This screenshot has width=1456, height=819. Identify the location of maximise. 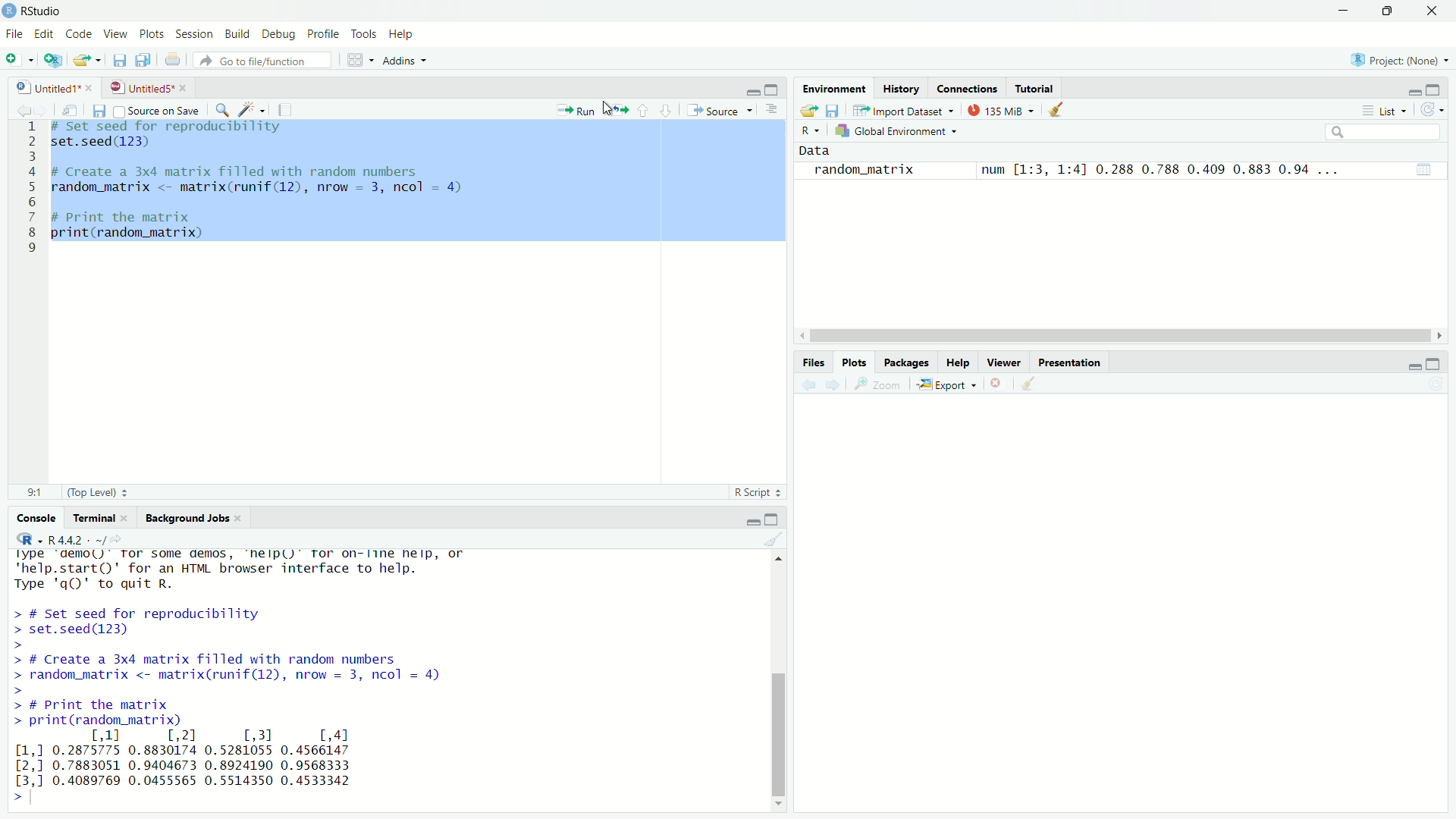
(1437, 89).